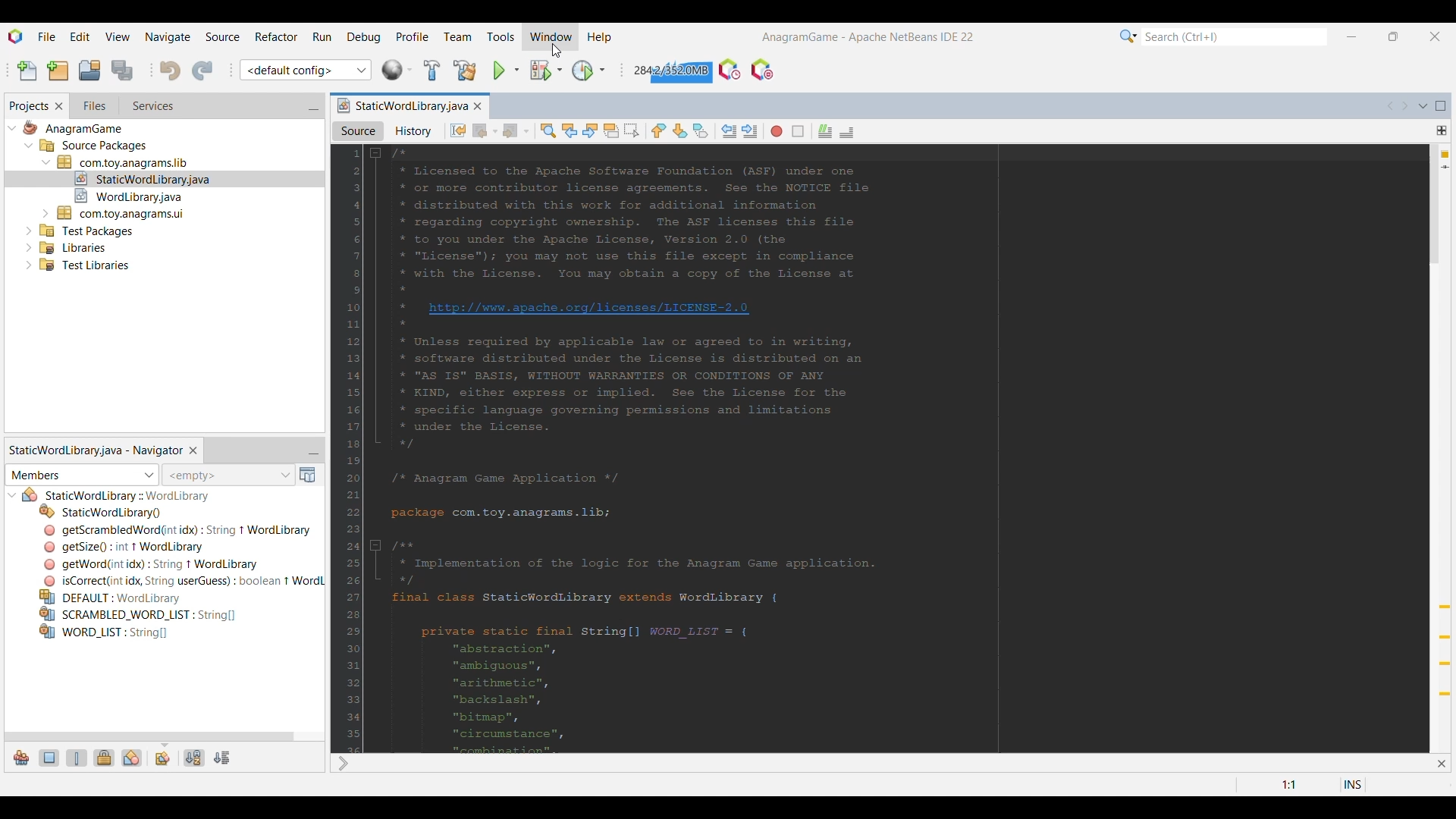 The width and height of the screenshot is (1456, 819). Describe the element at coordinates (500, 36) in the screenshot. I see `Tools menu` at that location.